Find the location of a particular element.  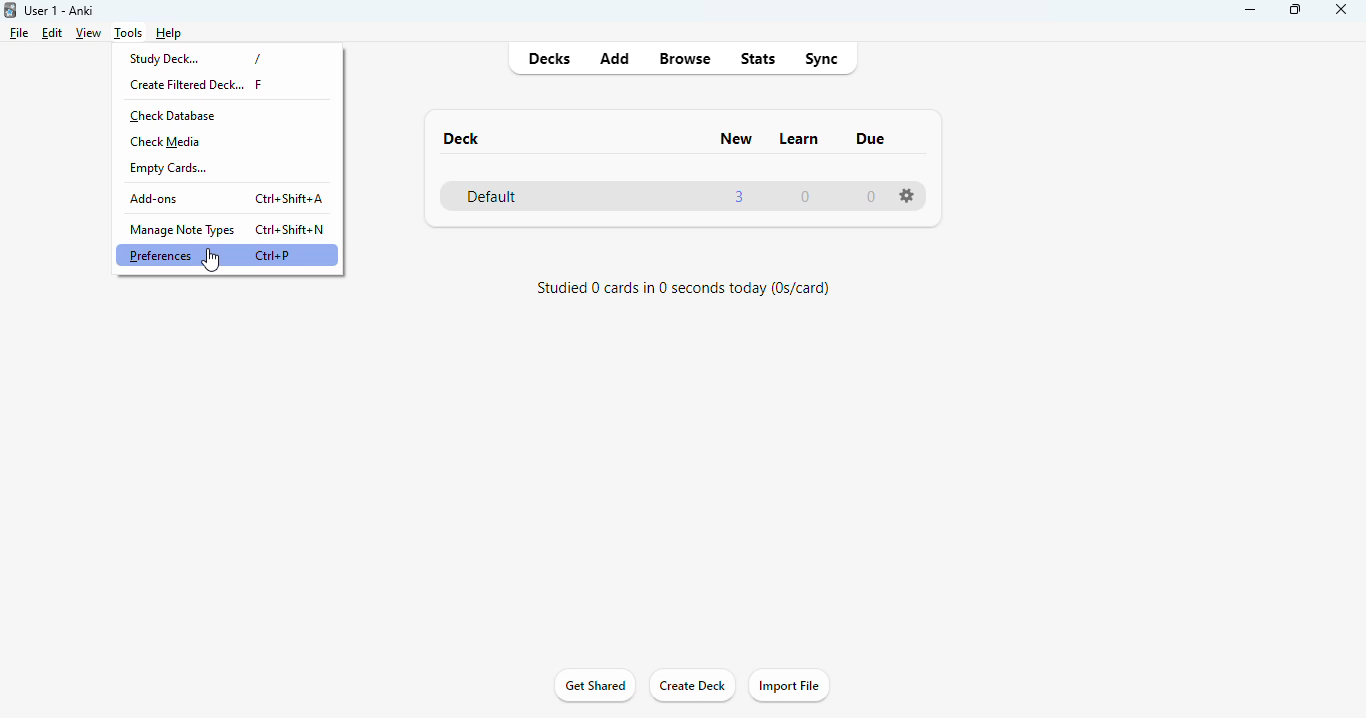

add is located at coordinates (616, 58).